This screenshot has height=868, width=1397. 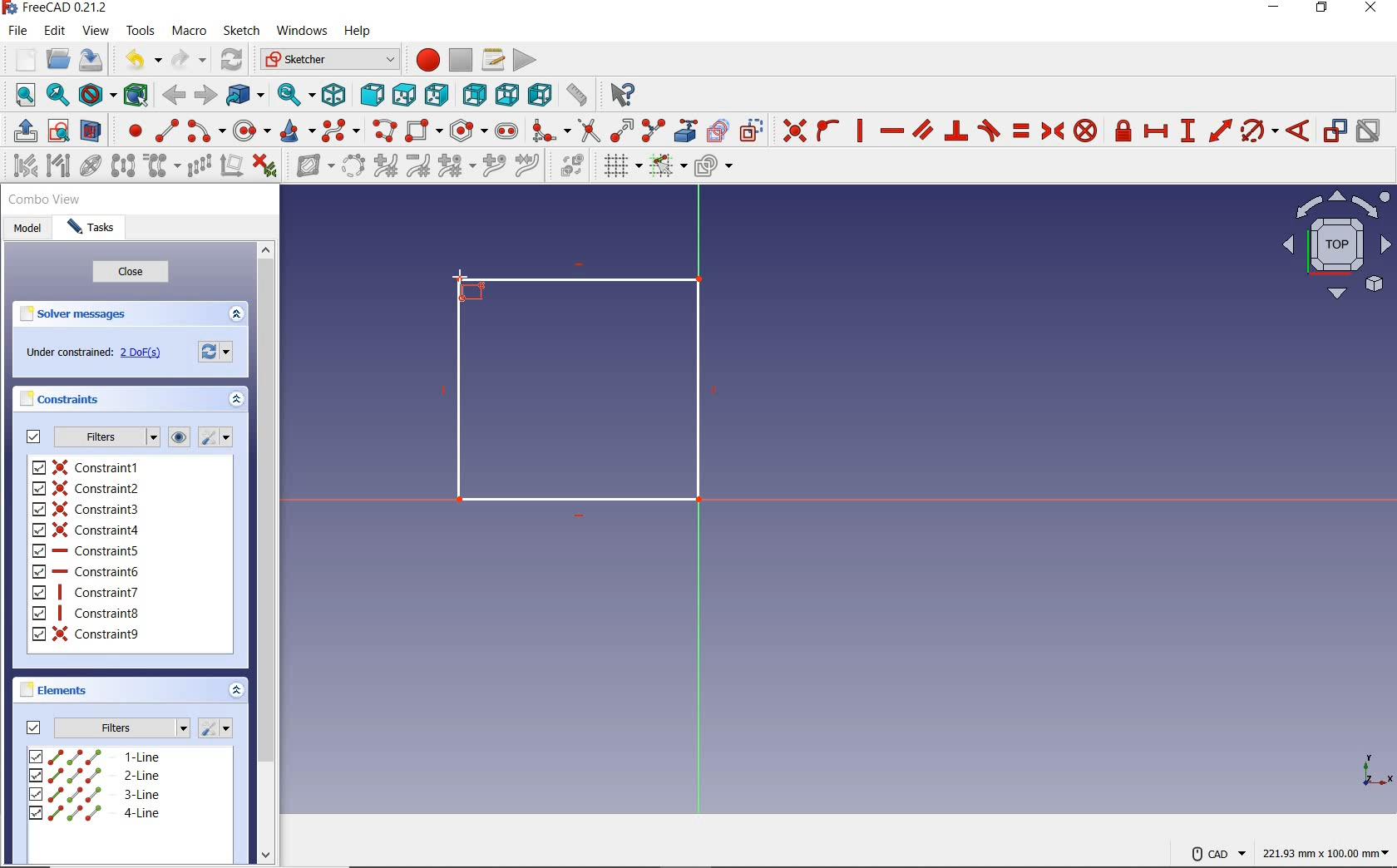 I want to click on constrain horizontal ditance, so click(x=1158, y=131).